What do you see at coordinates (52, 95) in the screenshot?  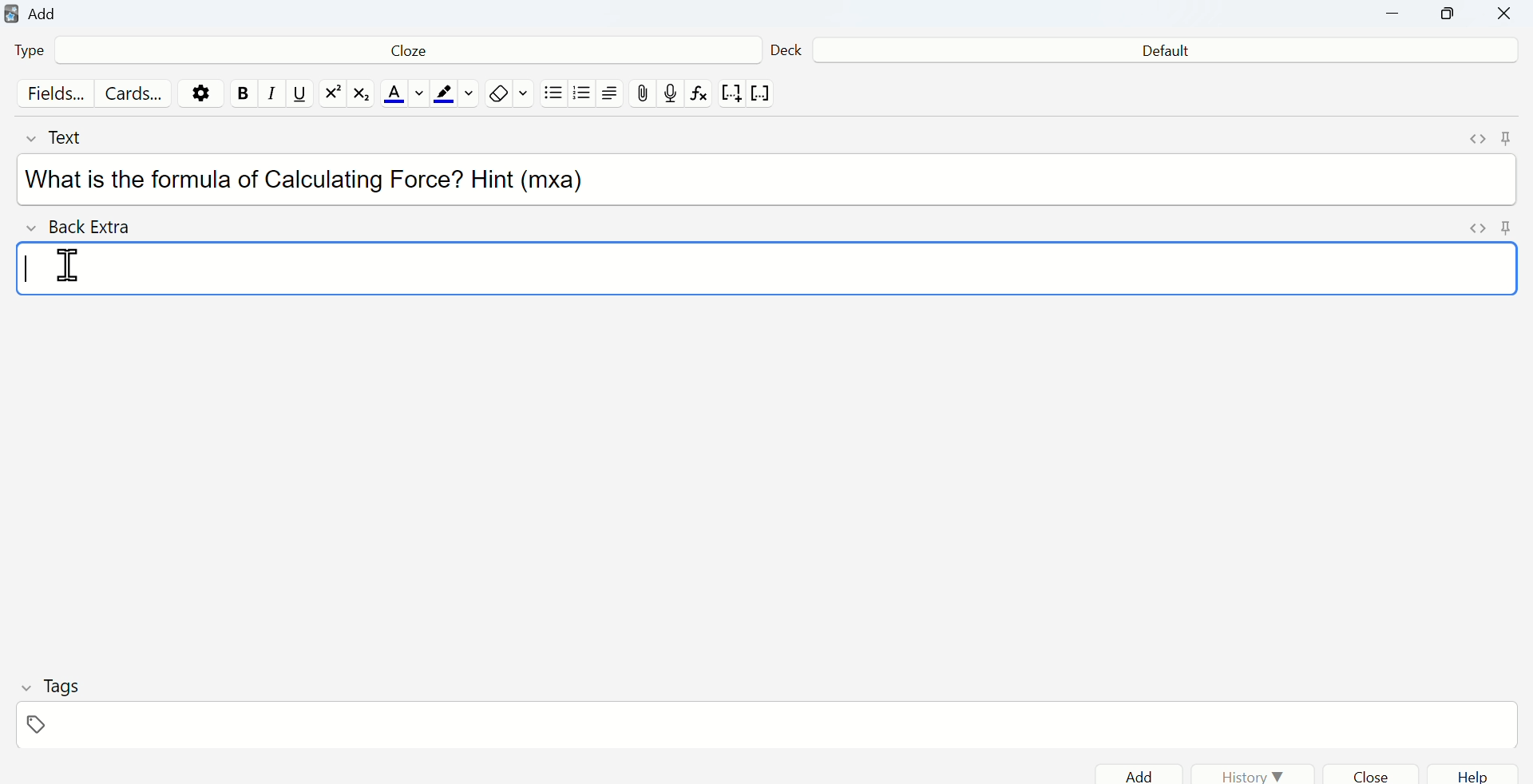 I see `Fields` at bounding box center [52, 95].